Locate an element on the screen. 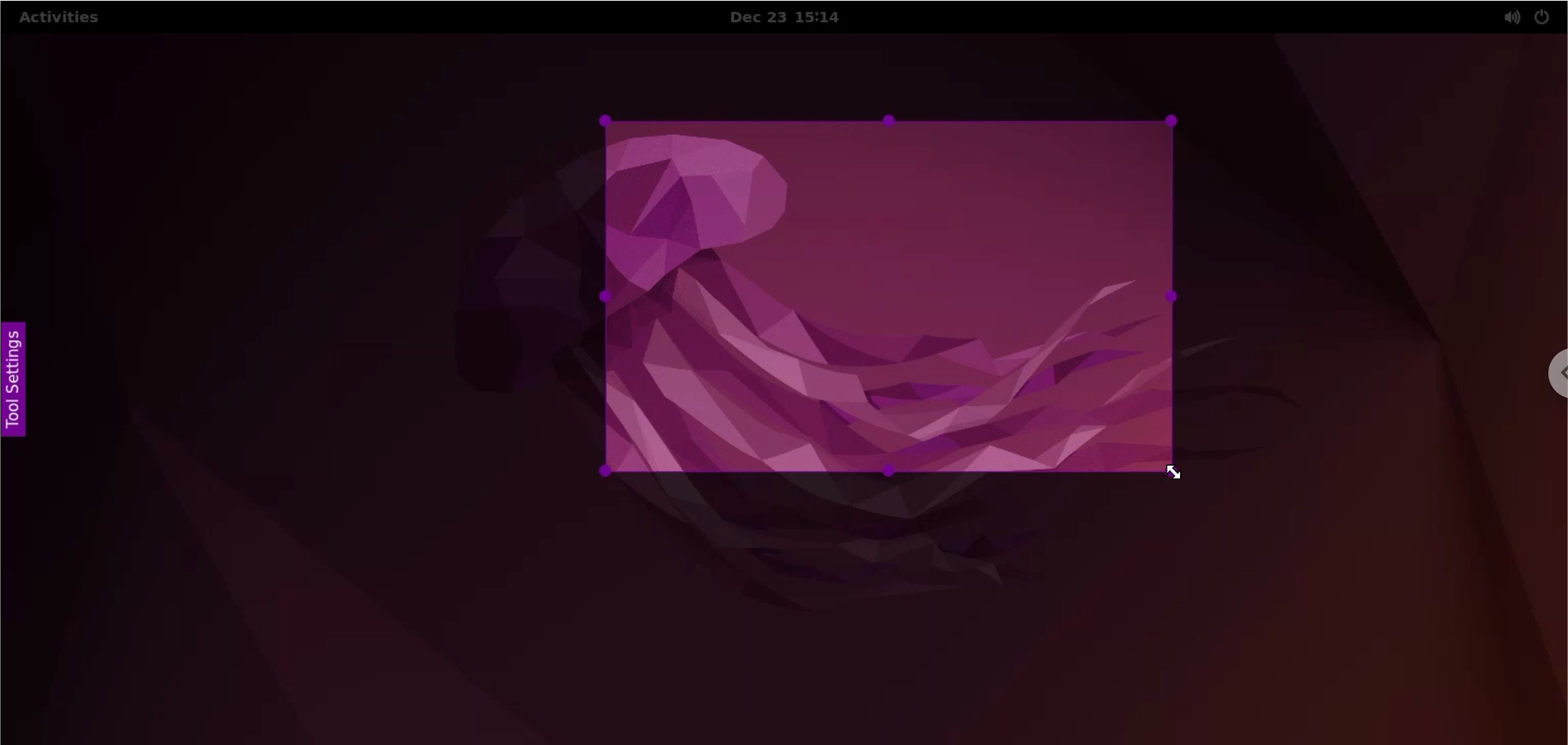  cursor is located at coordinates (1167, 475).